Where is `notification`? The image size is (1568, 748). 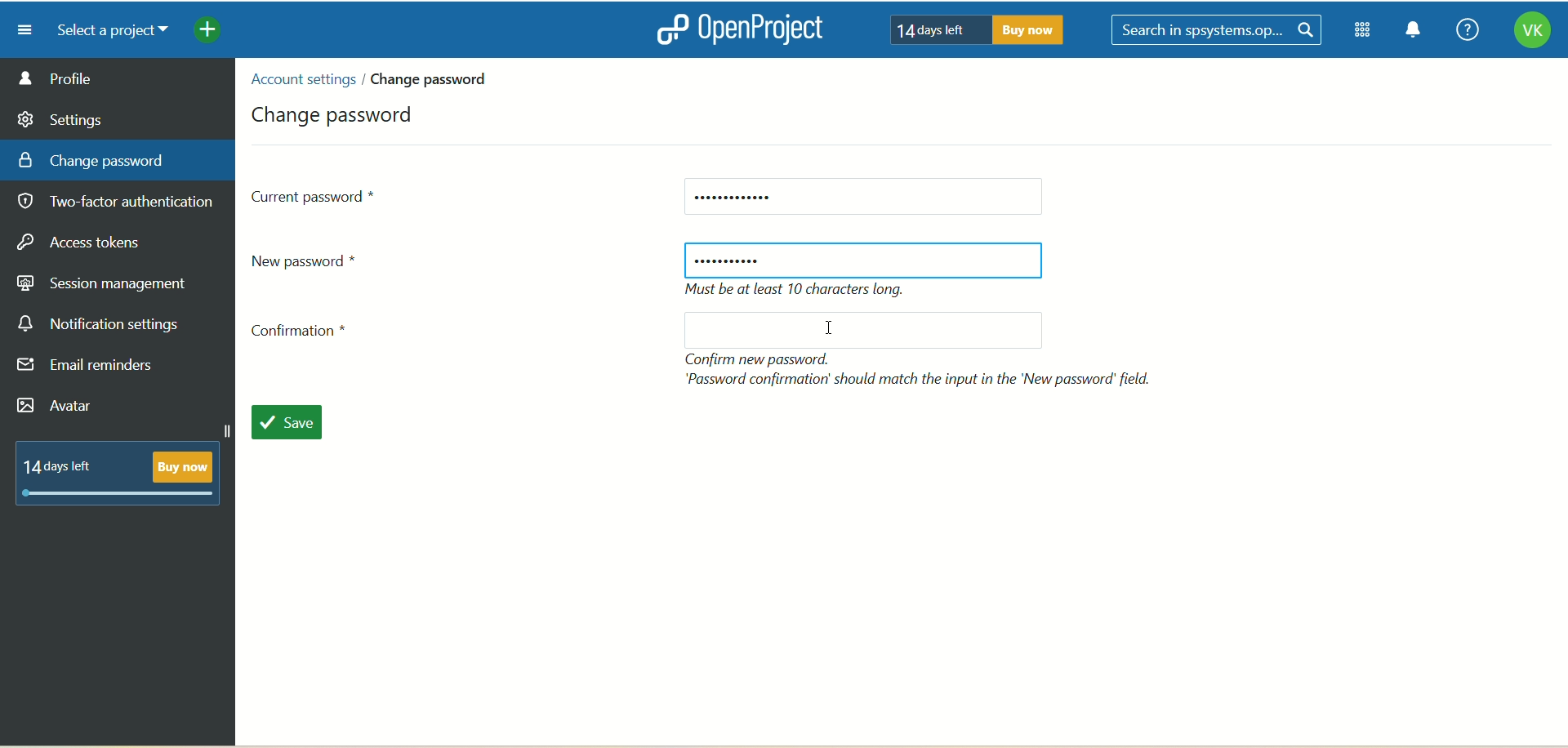
notification is located at coordinates (1414, 32).